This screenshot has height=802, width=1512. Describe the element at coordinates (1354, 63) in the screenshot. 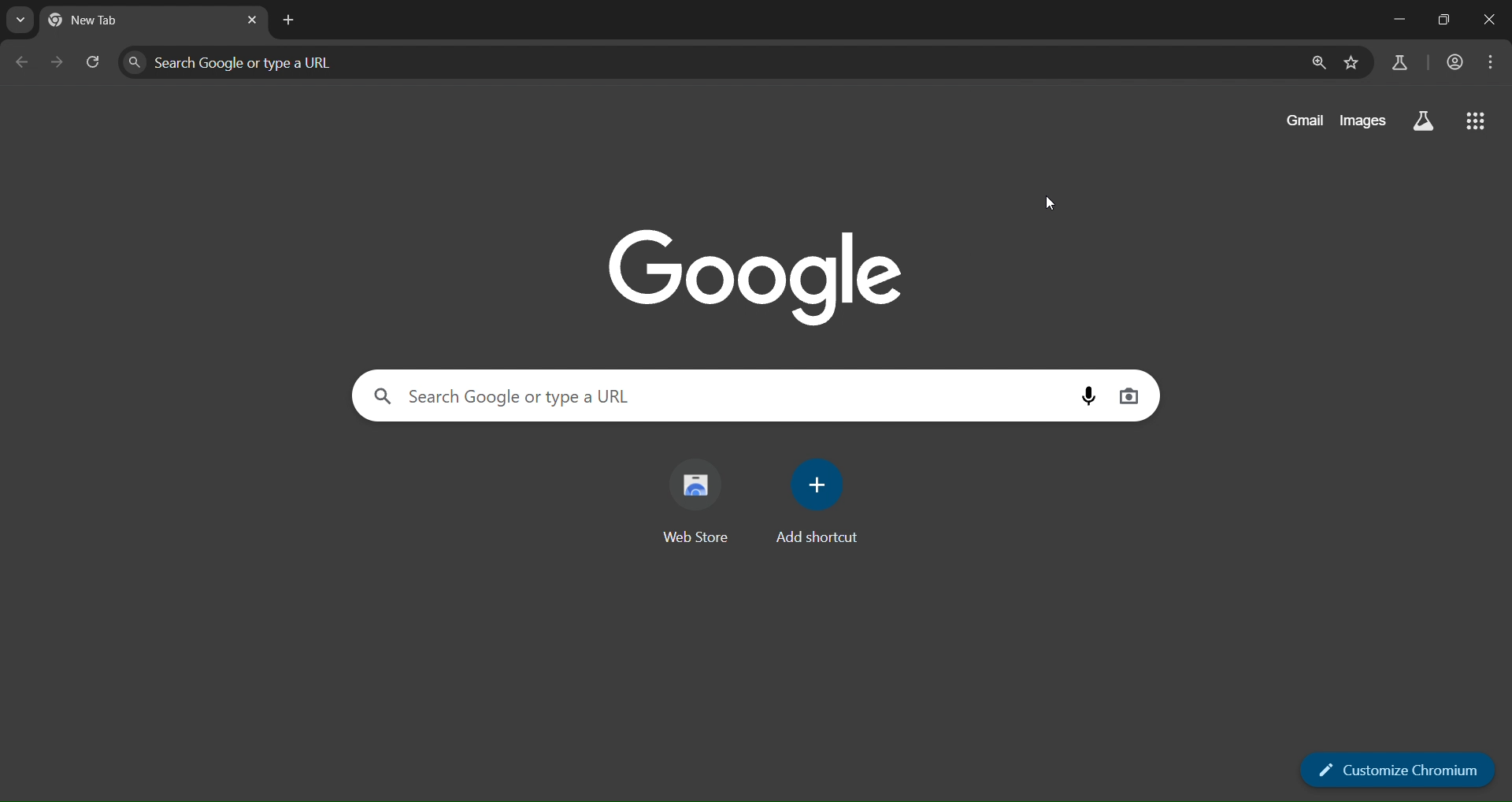

I see `bookmark page` at that location.